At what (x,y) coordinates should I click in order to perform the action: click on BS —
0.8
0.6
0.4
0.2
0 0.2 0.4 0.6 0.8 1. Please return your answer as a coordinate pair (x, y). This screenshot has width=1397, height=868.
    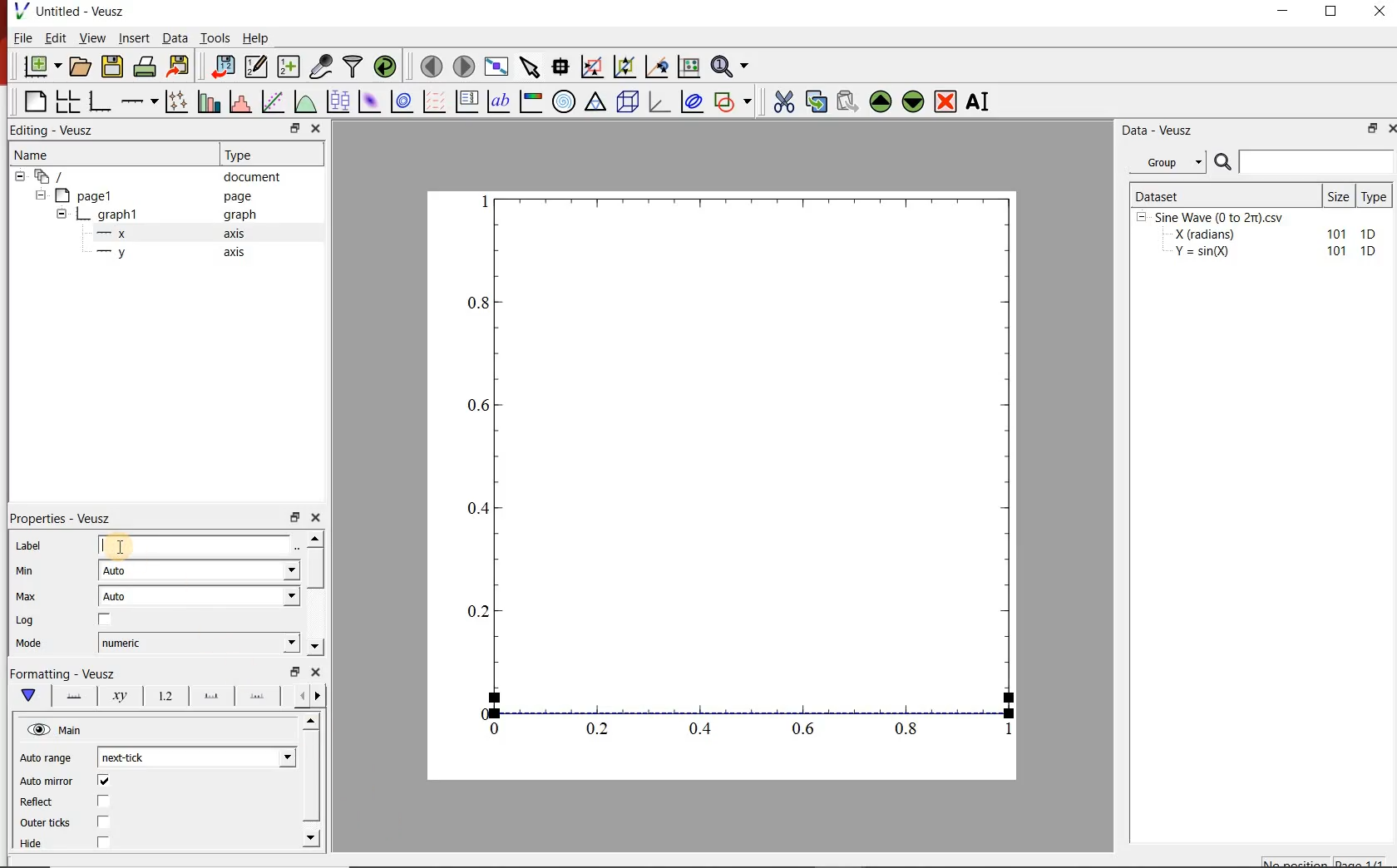
    Looking at the image, I should click on (743, 472).